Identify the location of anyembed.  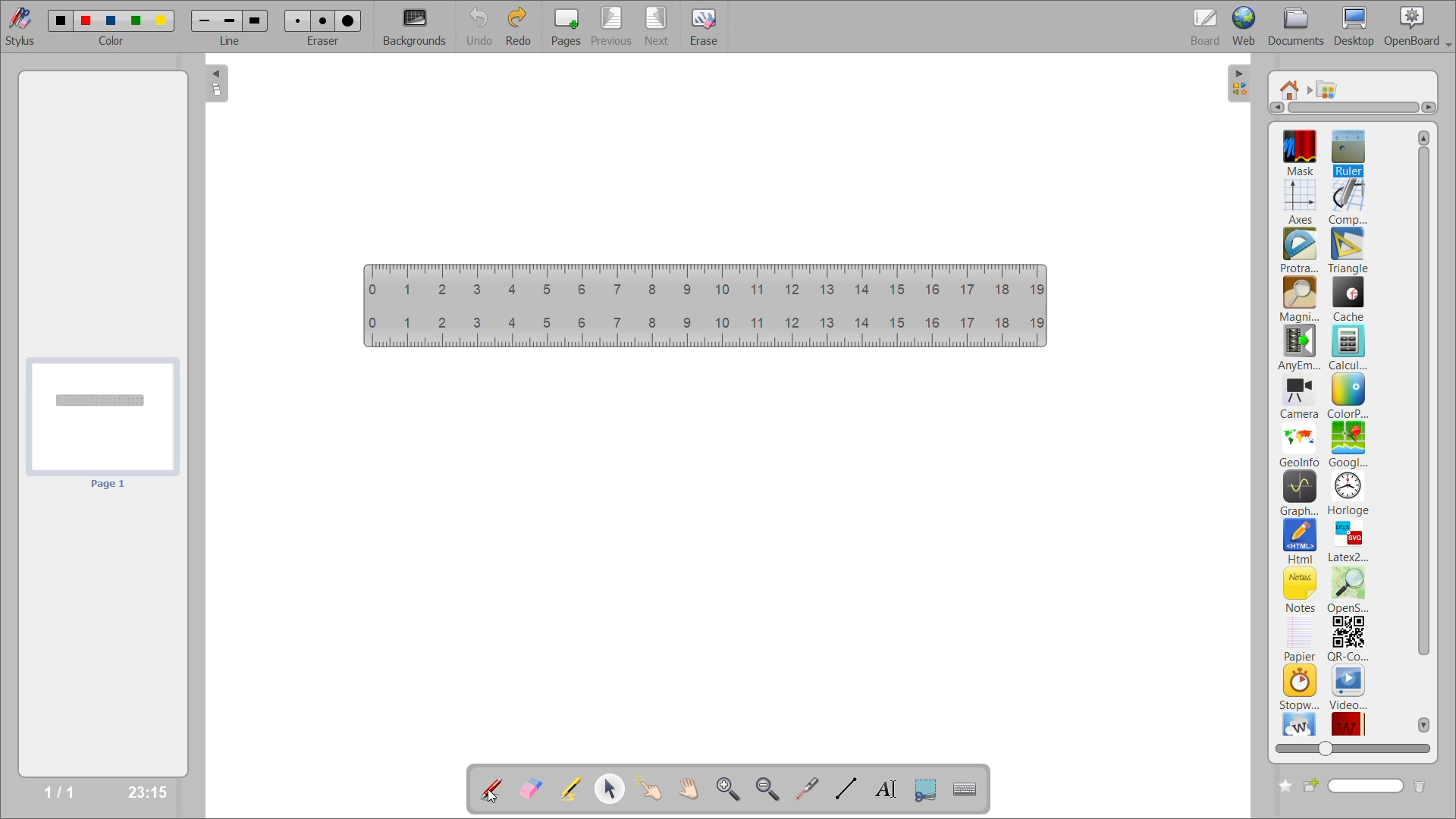
(1301, 348).